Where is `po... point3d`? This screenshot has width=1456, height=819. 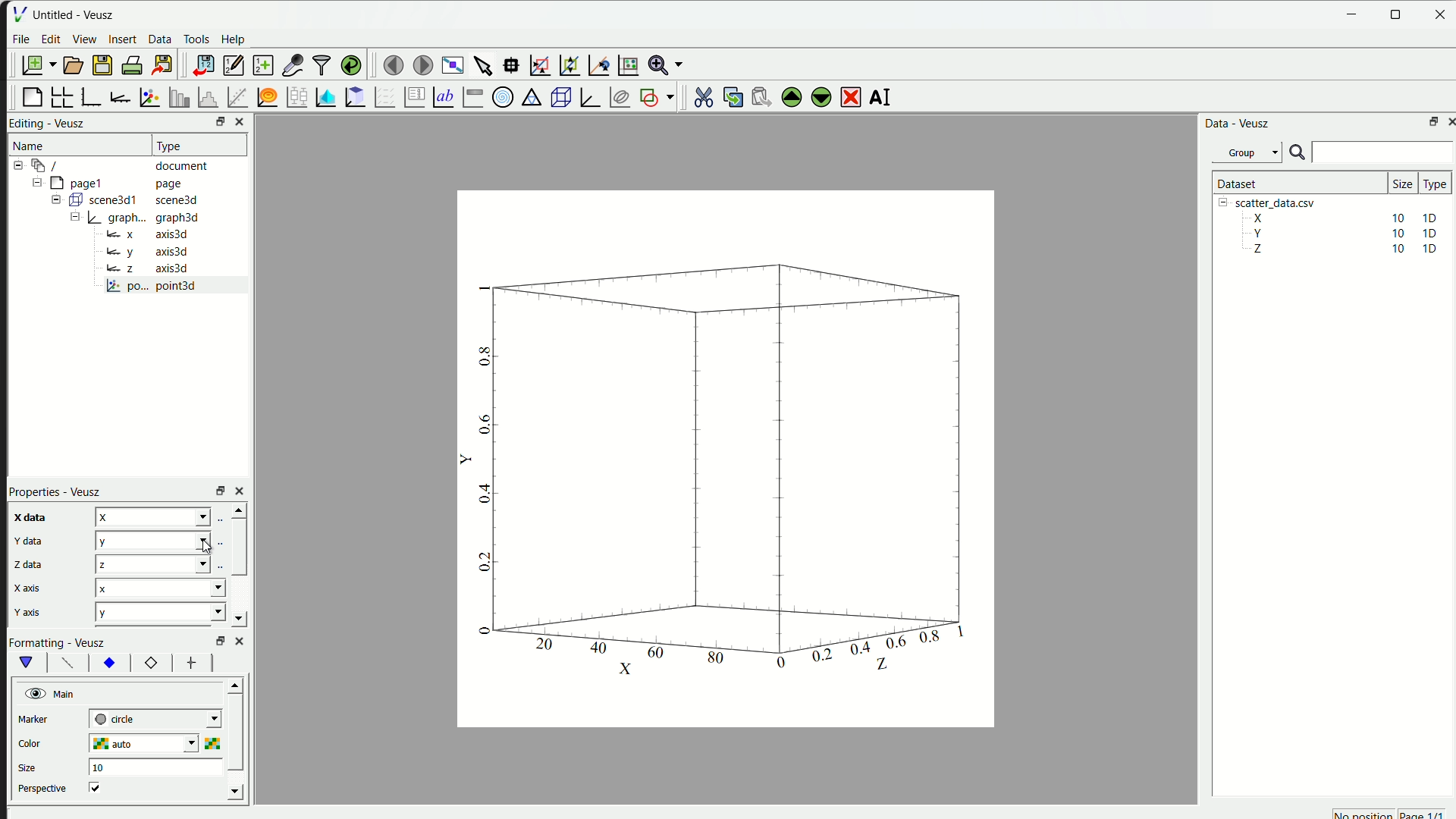 po... point3d is located at coordinates (154, 287).